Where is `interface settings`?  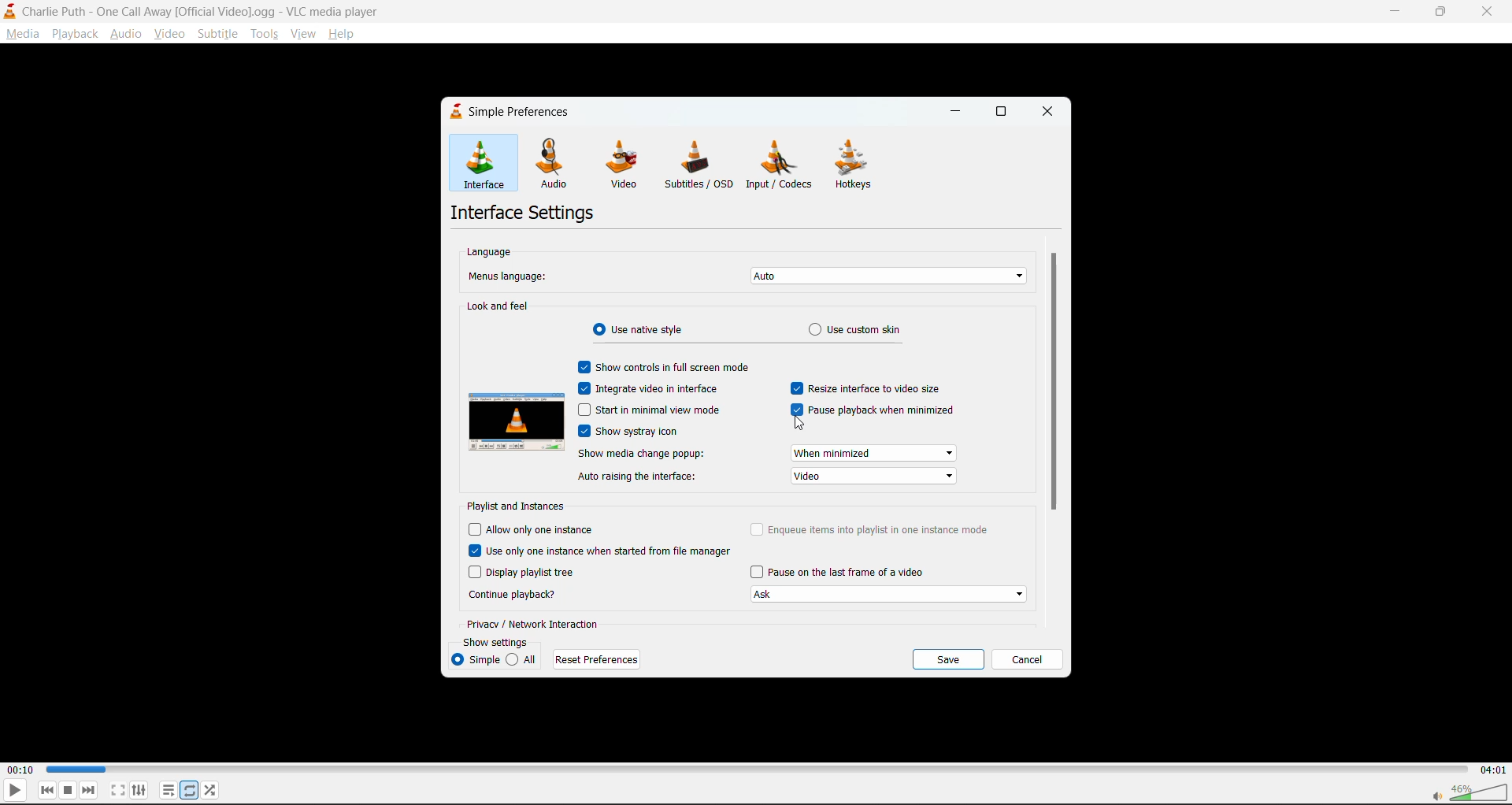
interface settings is located at coordinates (521, 213).